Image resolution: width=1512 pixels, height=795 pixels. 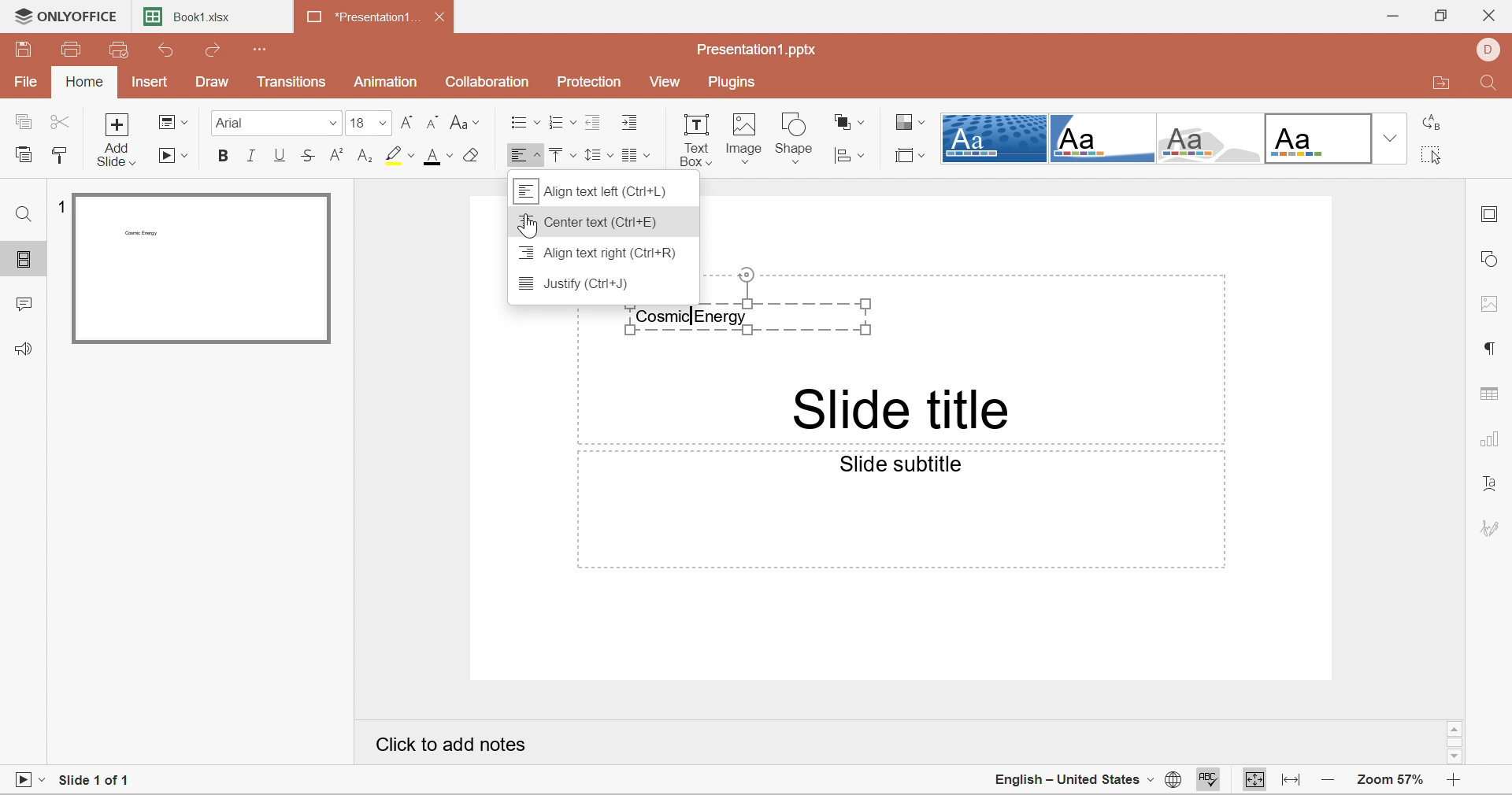 What do you see at coordinates (1321, 139) in the screenshot?
I see `Official` at bounding box center [1321, 139].